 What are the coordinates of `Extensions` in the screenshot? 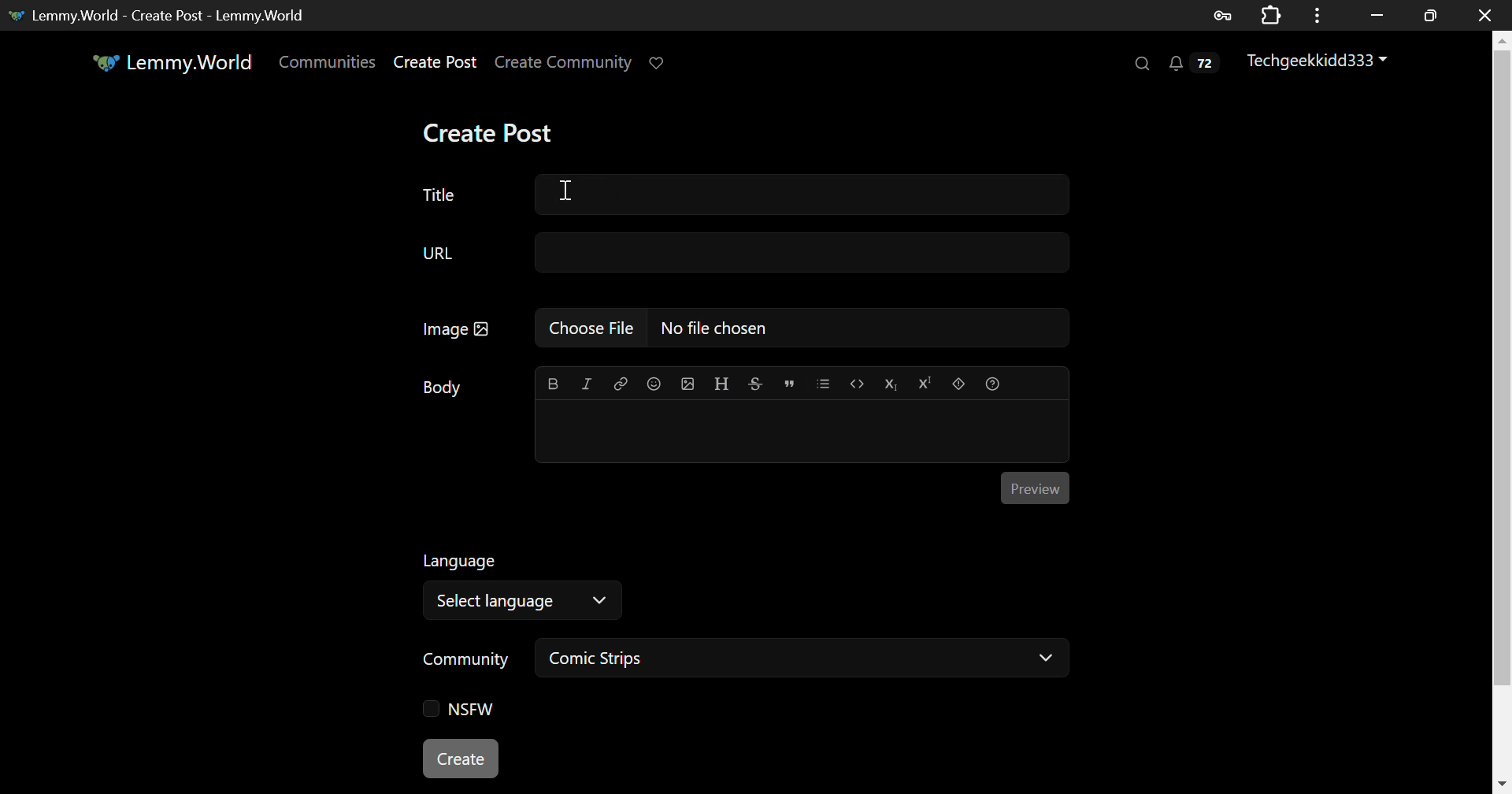 It's located at (1274, 14).